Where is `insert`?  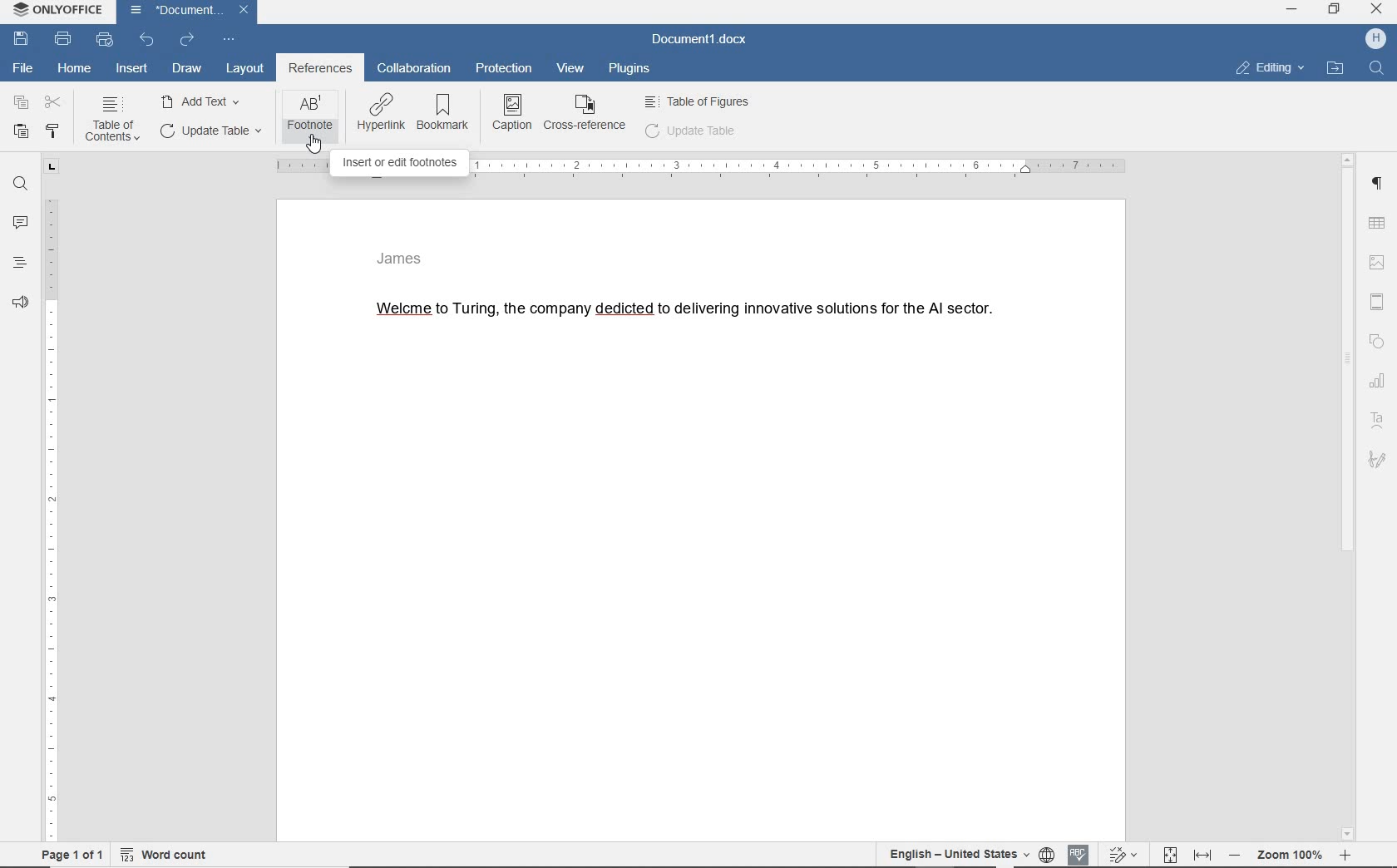 insert is located at coordinates (133, 70).